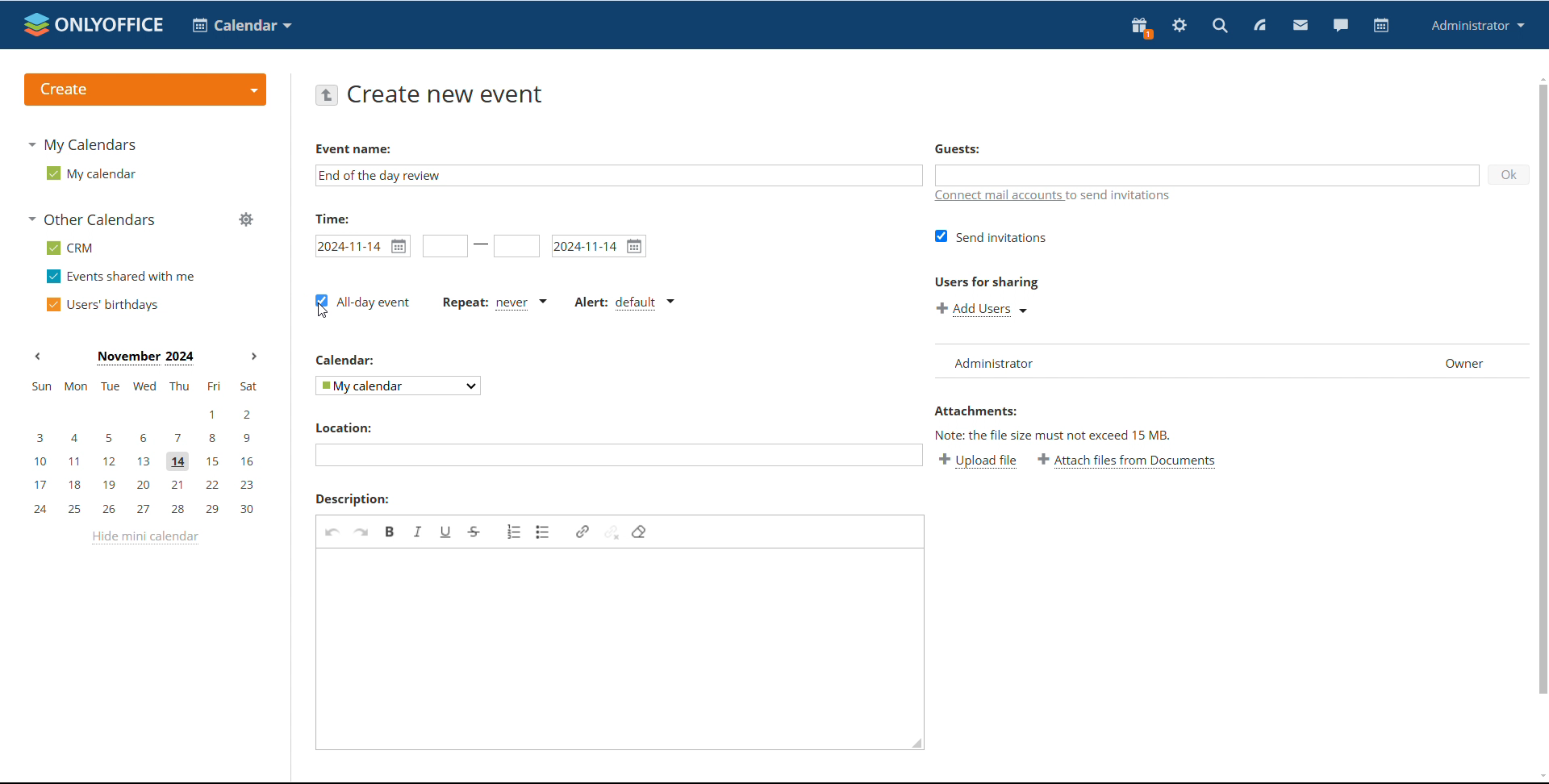 The height and width of the screenshot is (784, 1549). What do you see at coordinates (1259, 25) in the screenshot?
I see `feed` at bounding box center [1259, 25].